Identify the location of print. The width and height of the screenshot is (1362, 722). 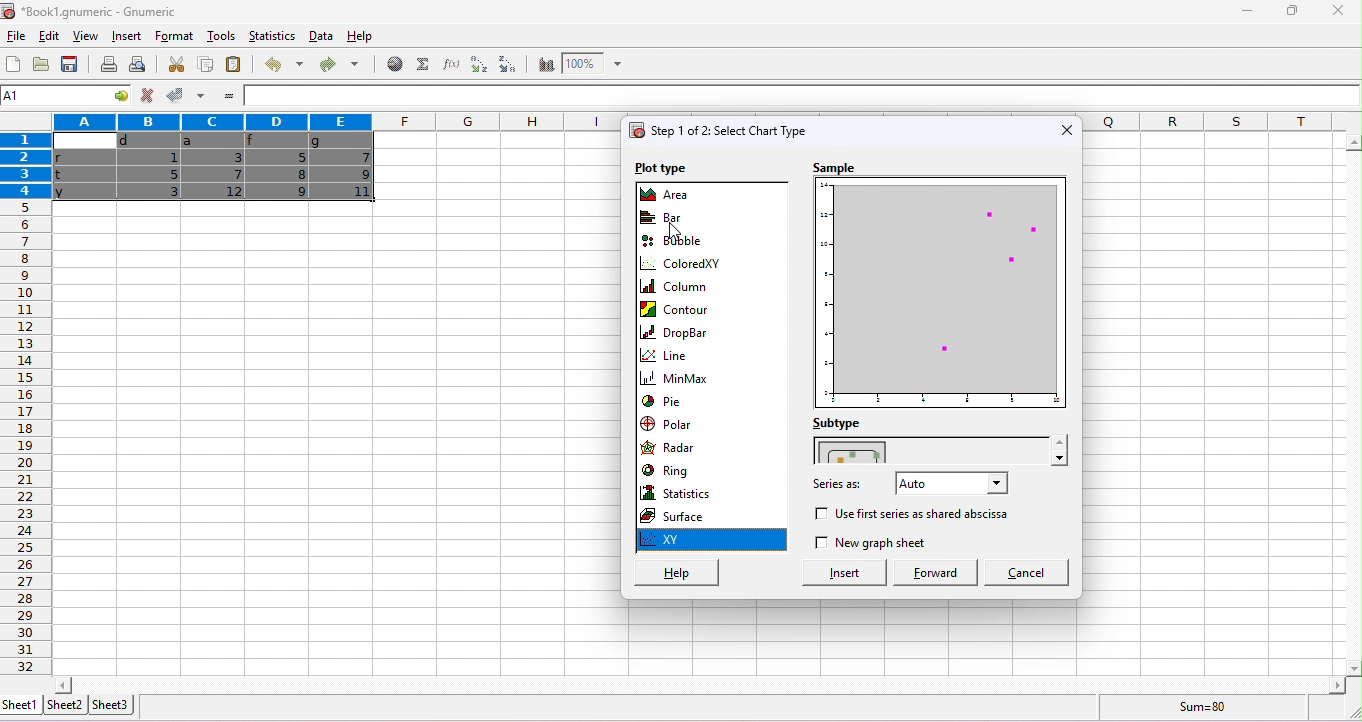
(108, 64).